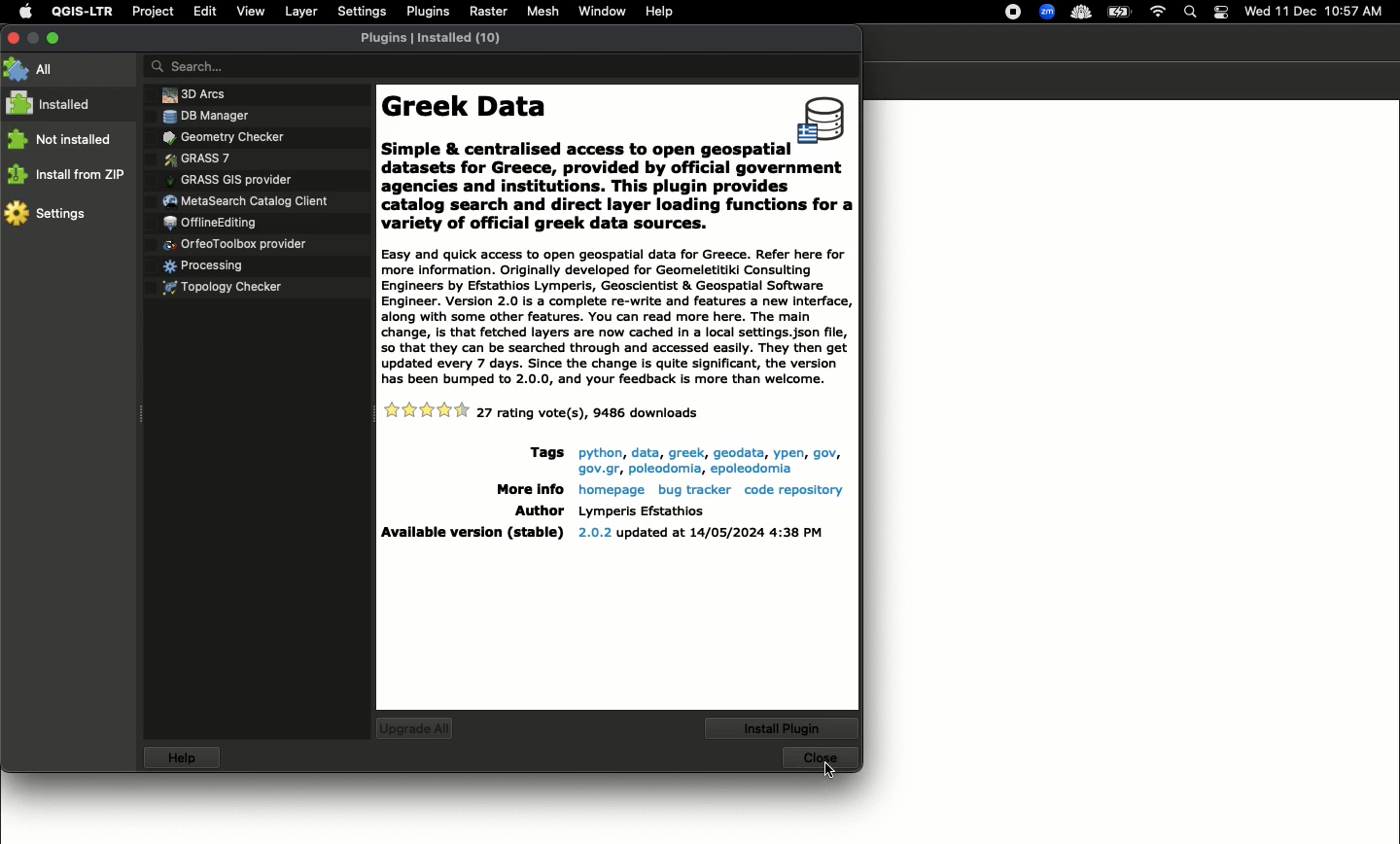  I want to click on Help, so click(660, 11).